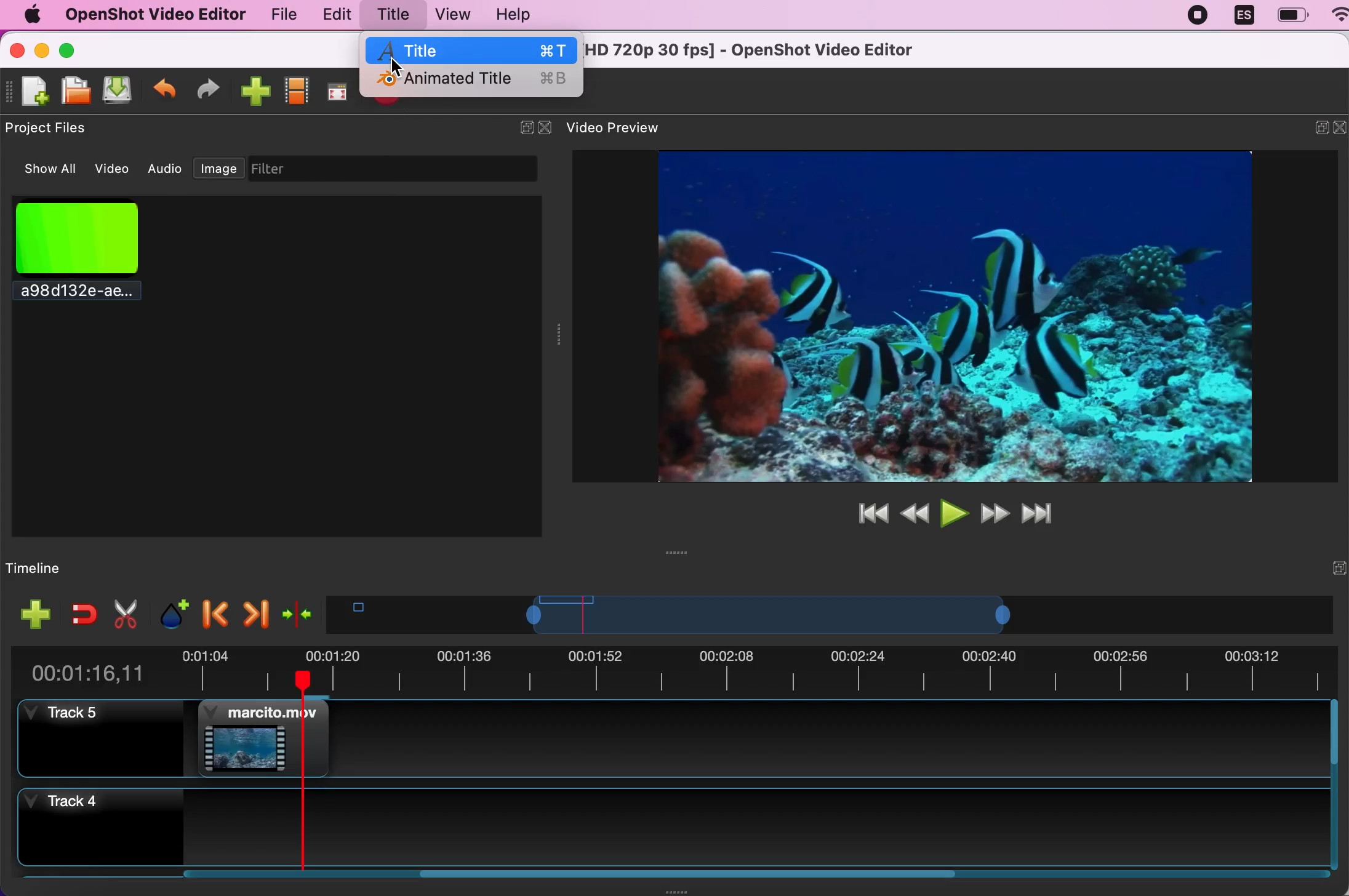 This screenshot has height=896, width=1349. What do you see at coordinates (166, 89) in the screenshot?
I see `undo` at bounding box center [166, 89].